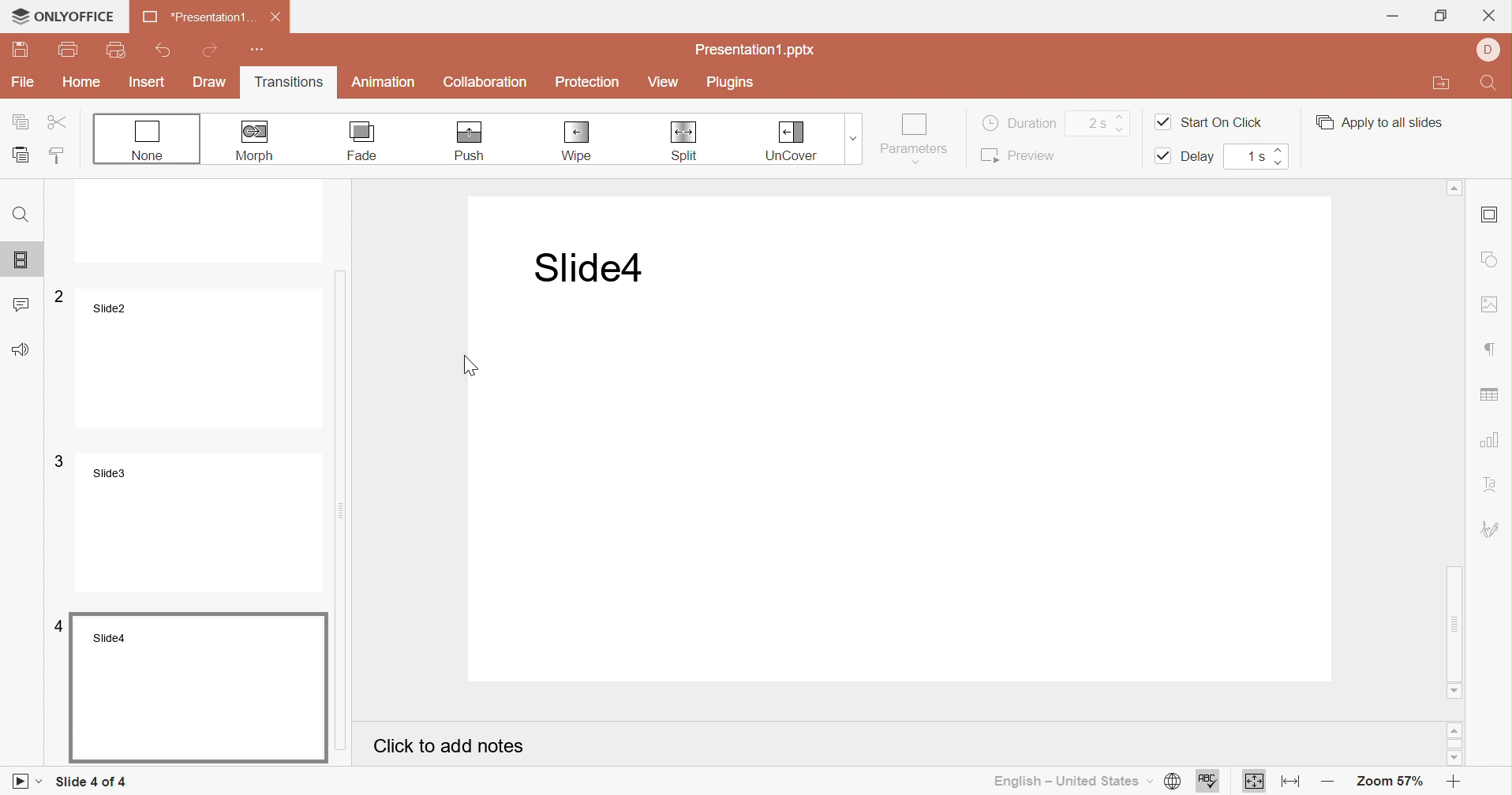  Describe the element at coordinates (22, 121) in the screenshot. I see `Copy` at that location.